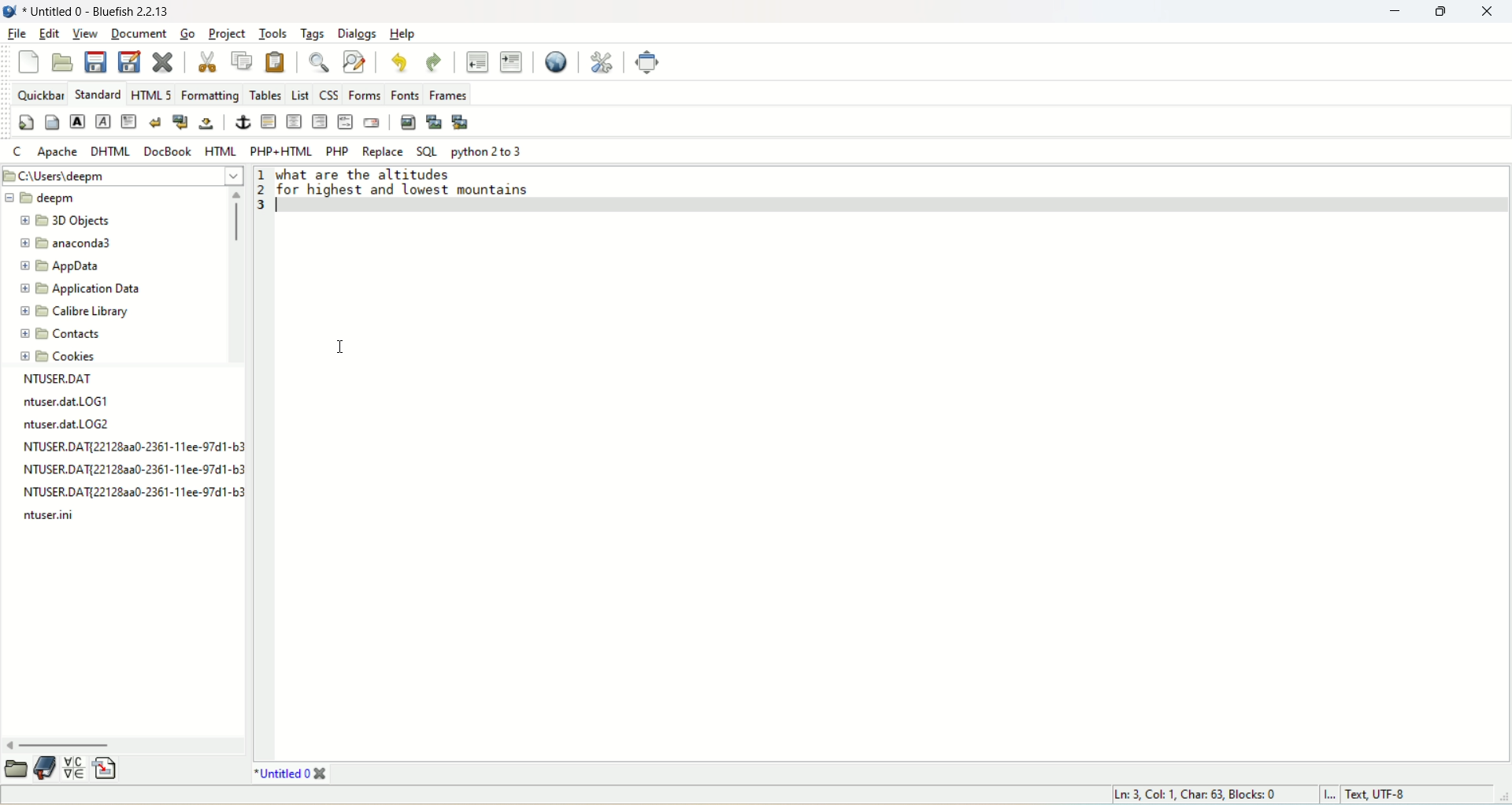 Image resolution: width=1512 pixels, height=805 pixels. What do you see at coordinates (476, 61) in the screenshot?
I see `unindent` at bounding box center [476, 61].